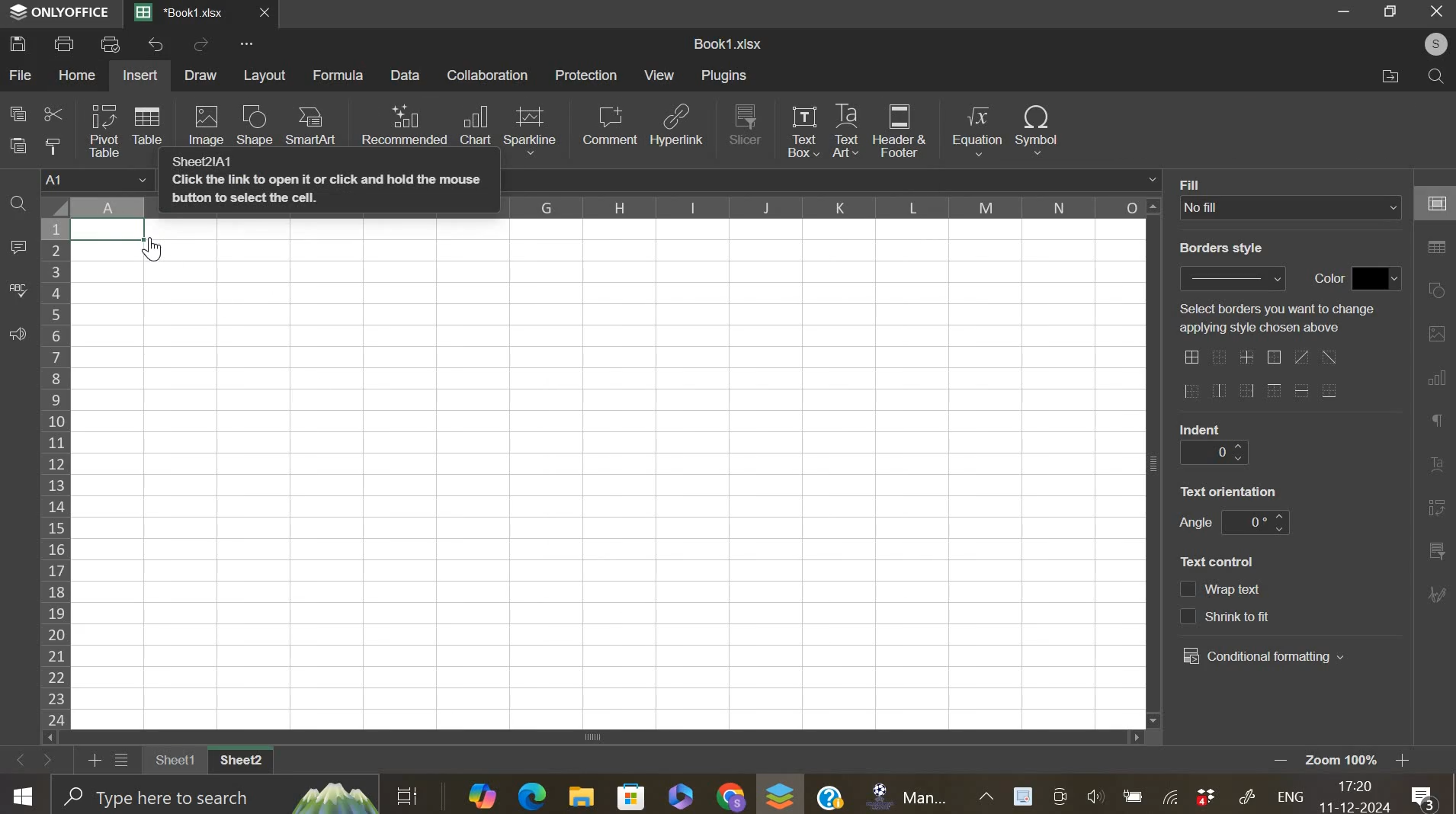  Describe the element at coordinates (53, 116) in the screenshot. I see `cut` at that location.